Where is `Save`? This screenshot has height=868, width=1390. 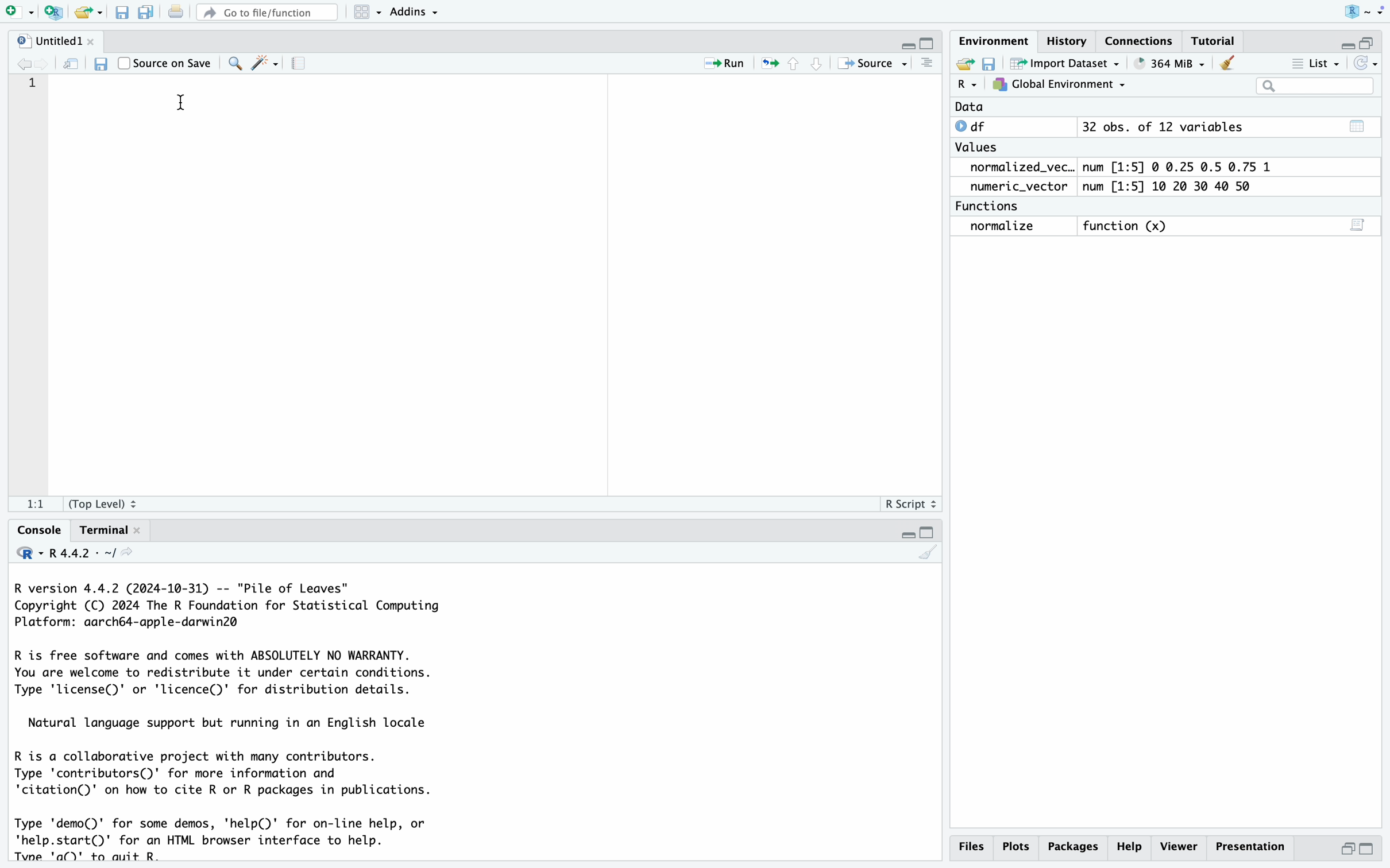
Save is located at coordinates (122, 13).